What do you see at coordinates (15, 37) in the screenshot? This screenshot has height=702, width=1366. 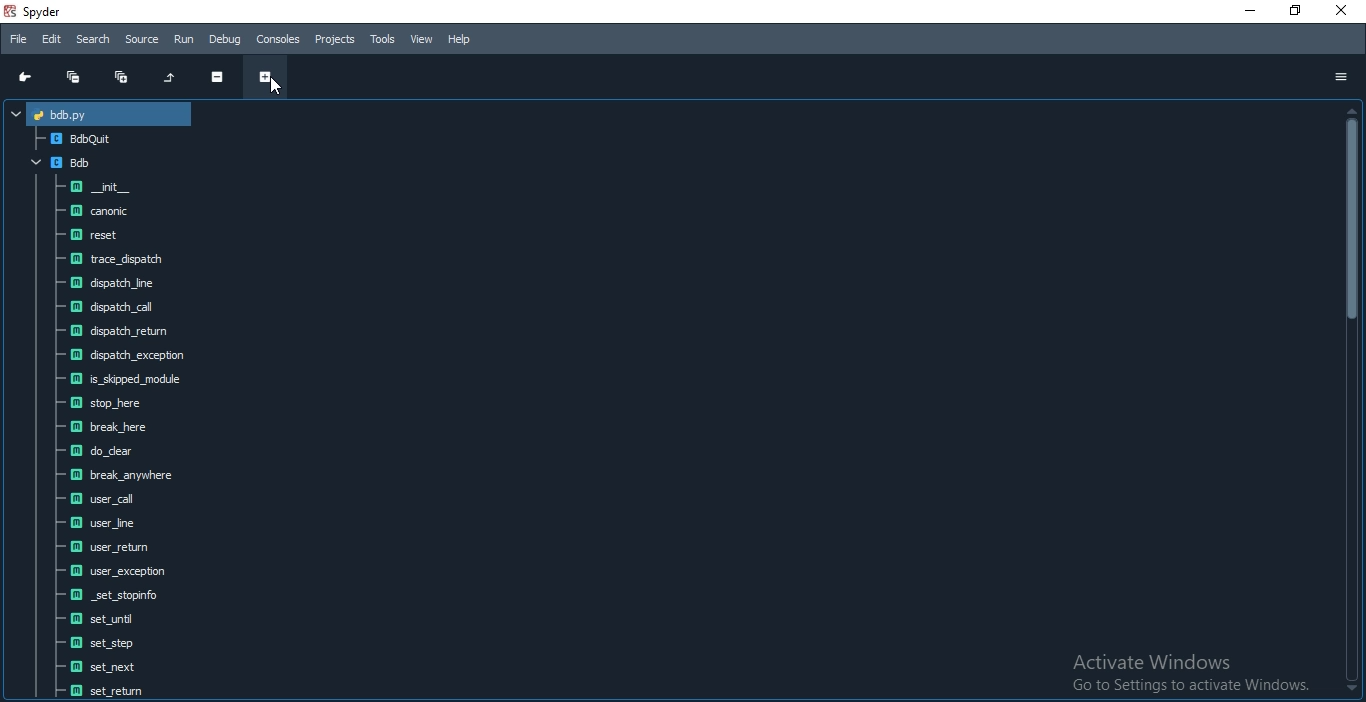 I see `File ` at bounding box center [15, 37].